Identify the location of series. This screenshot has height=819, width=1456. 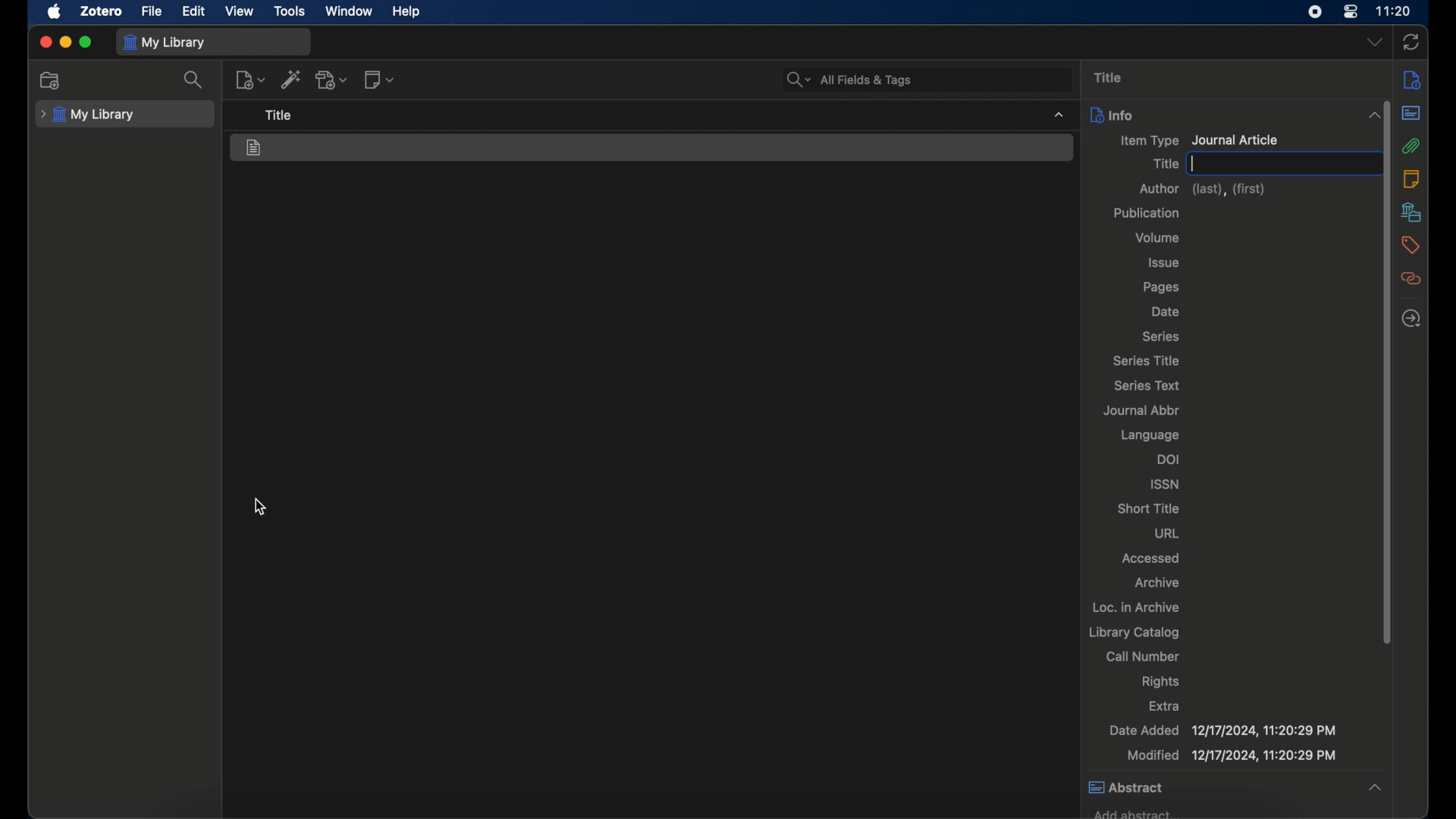
(1159, 336).